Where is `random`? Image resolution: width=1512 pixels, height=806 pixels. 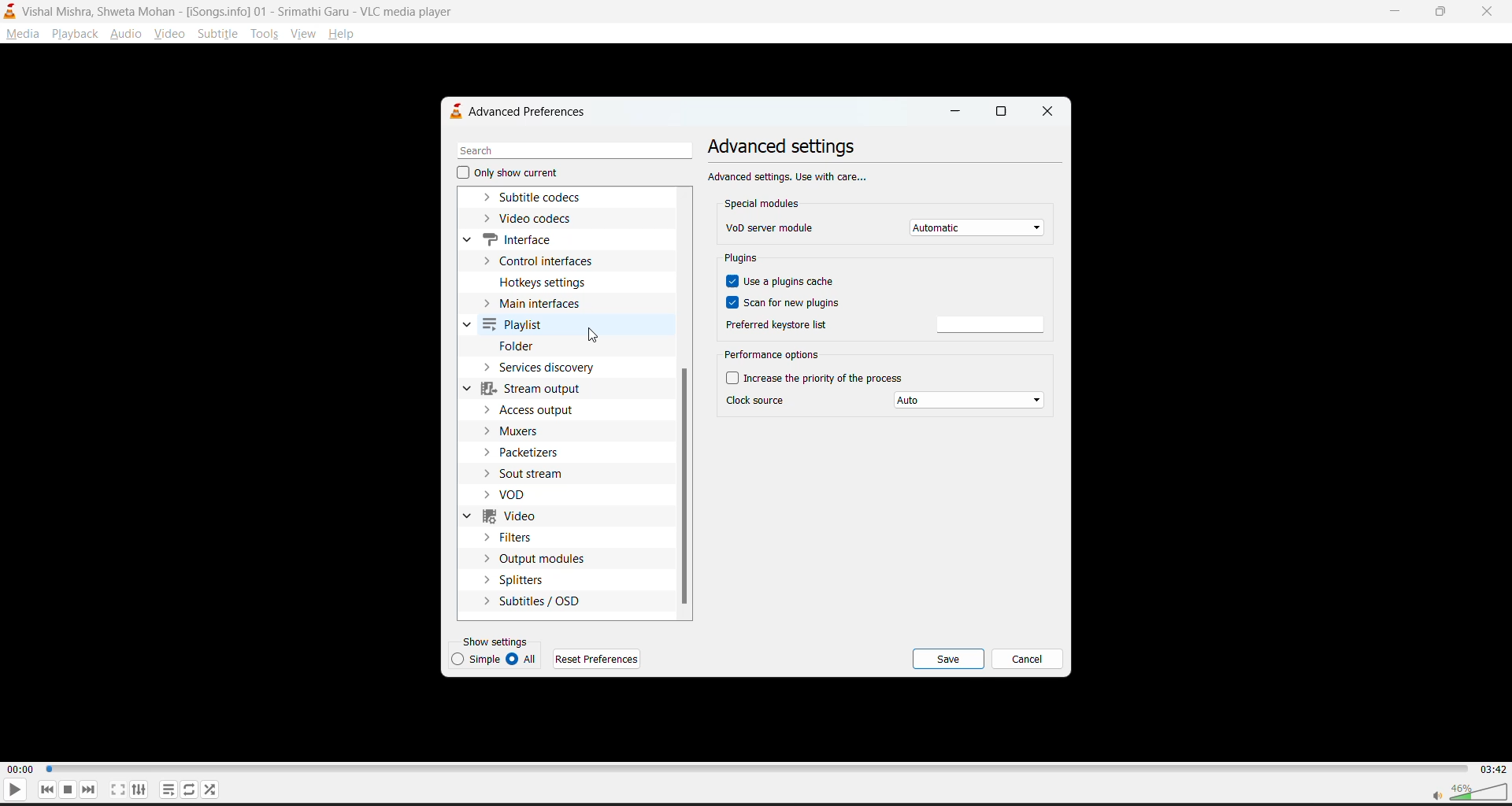
random is located at coordinates (209, 787).